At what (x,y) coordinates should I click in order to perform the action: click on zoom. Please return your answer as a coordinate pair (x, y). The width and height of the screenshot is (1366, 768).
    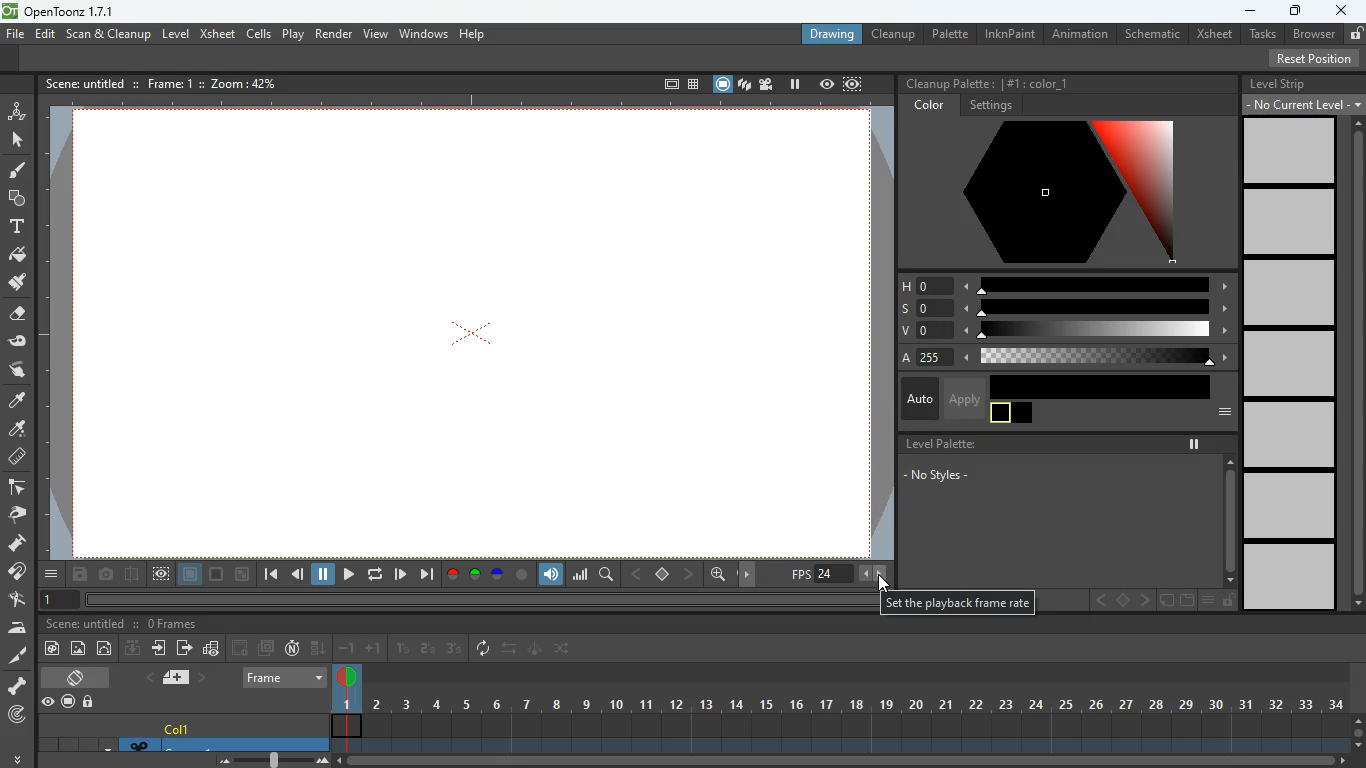
    Looking at the image, I should click on (246, 83).